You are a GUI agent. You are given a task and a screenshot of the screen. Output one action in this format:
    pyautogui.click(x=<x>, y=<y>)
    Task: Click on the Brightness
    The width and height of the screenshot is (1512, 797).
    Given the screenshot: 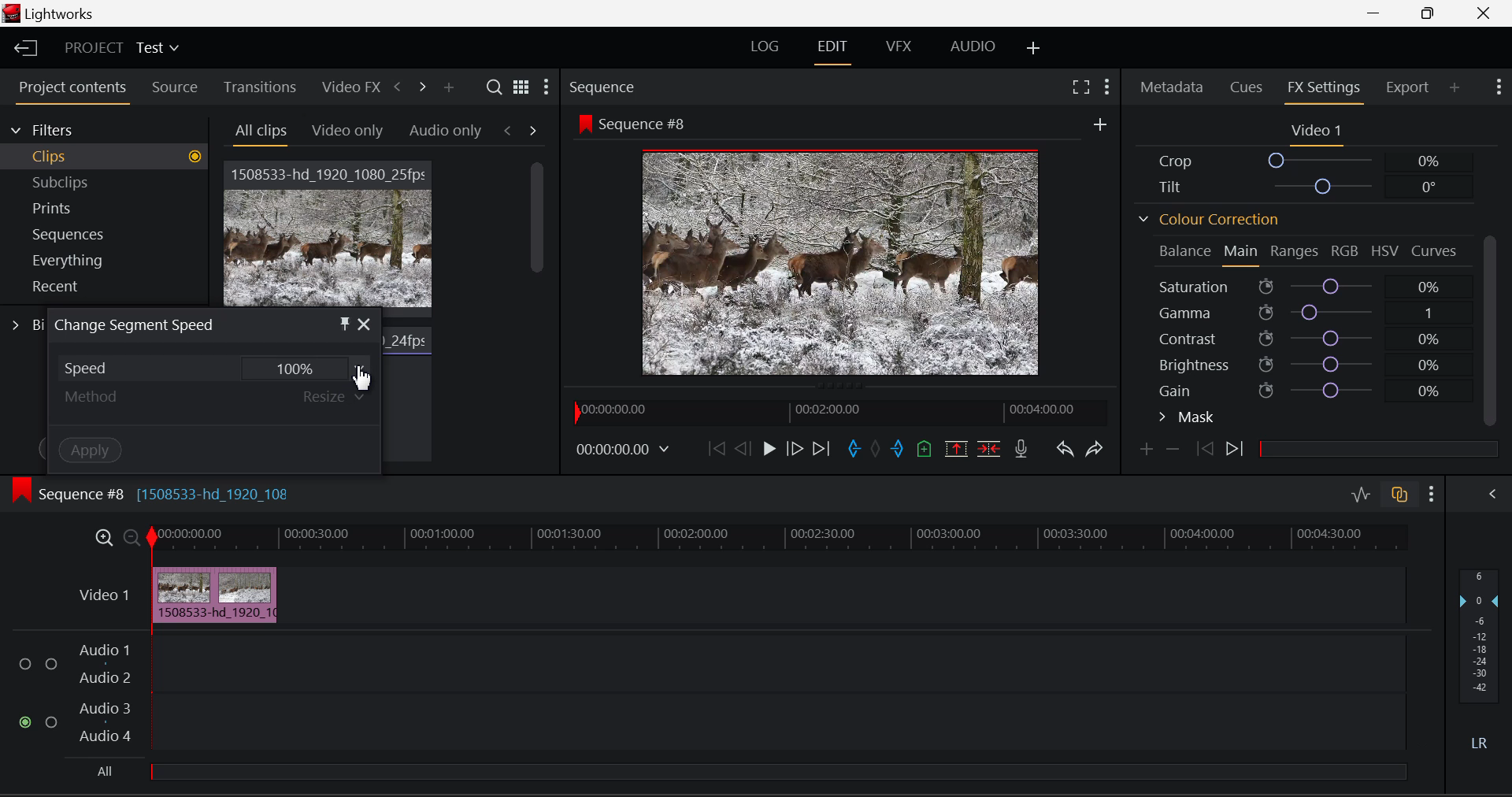 What is the action you would take?
    pyautogui.click(x=1307, y=367)
    